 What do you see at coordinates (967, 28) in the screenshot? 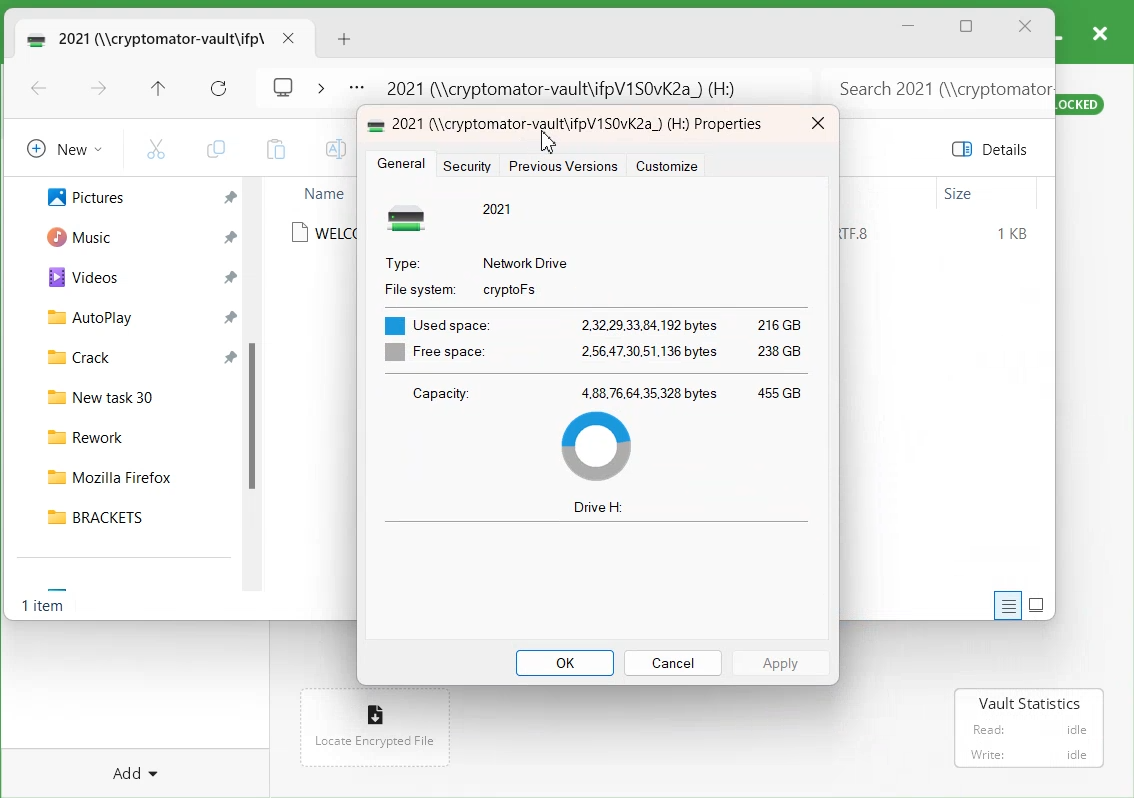
I see `Maximize` at bounding box center [967, 28].